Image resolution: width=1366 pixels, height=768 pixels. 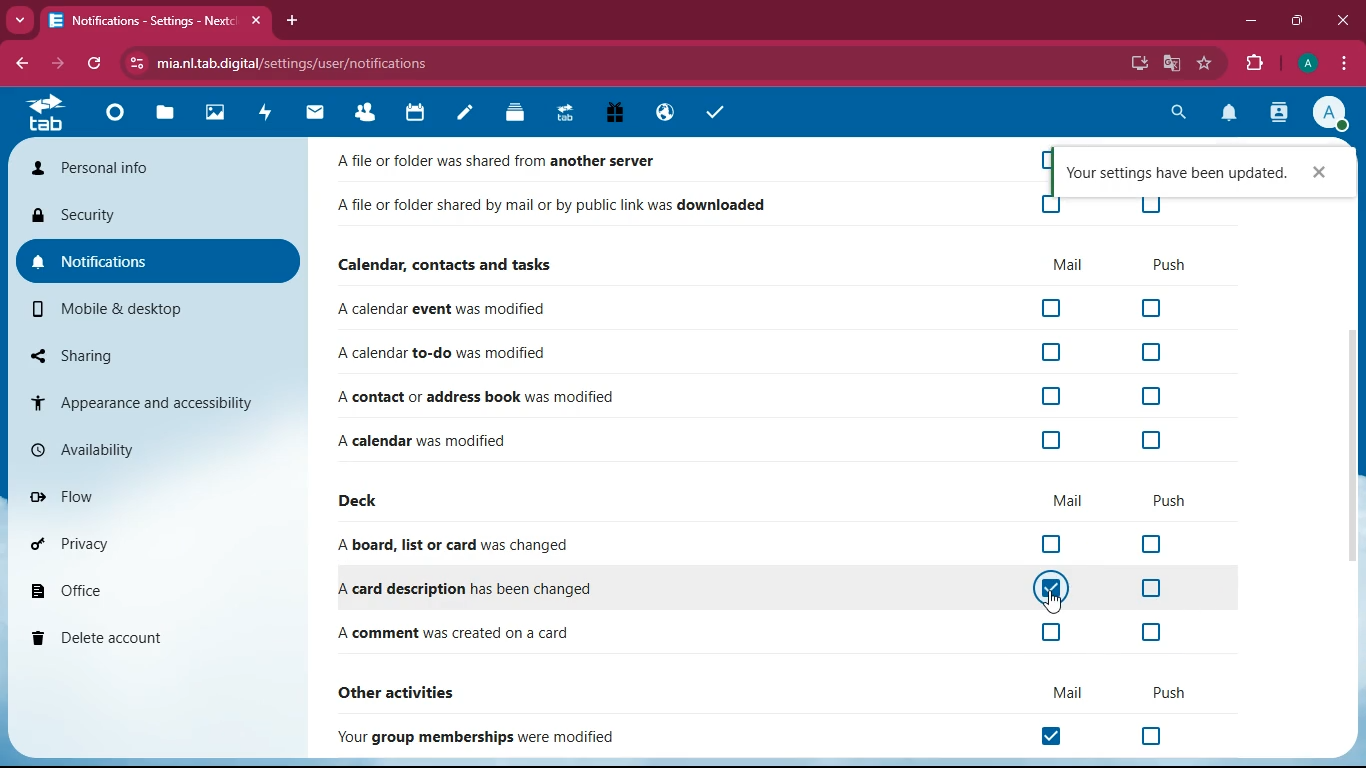 What do you see at coordinates (1322, 172) in the screenshot?
I see `close` at bounding box center [1322, 172].